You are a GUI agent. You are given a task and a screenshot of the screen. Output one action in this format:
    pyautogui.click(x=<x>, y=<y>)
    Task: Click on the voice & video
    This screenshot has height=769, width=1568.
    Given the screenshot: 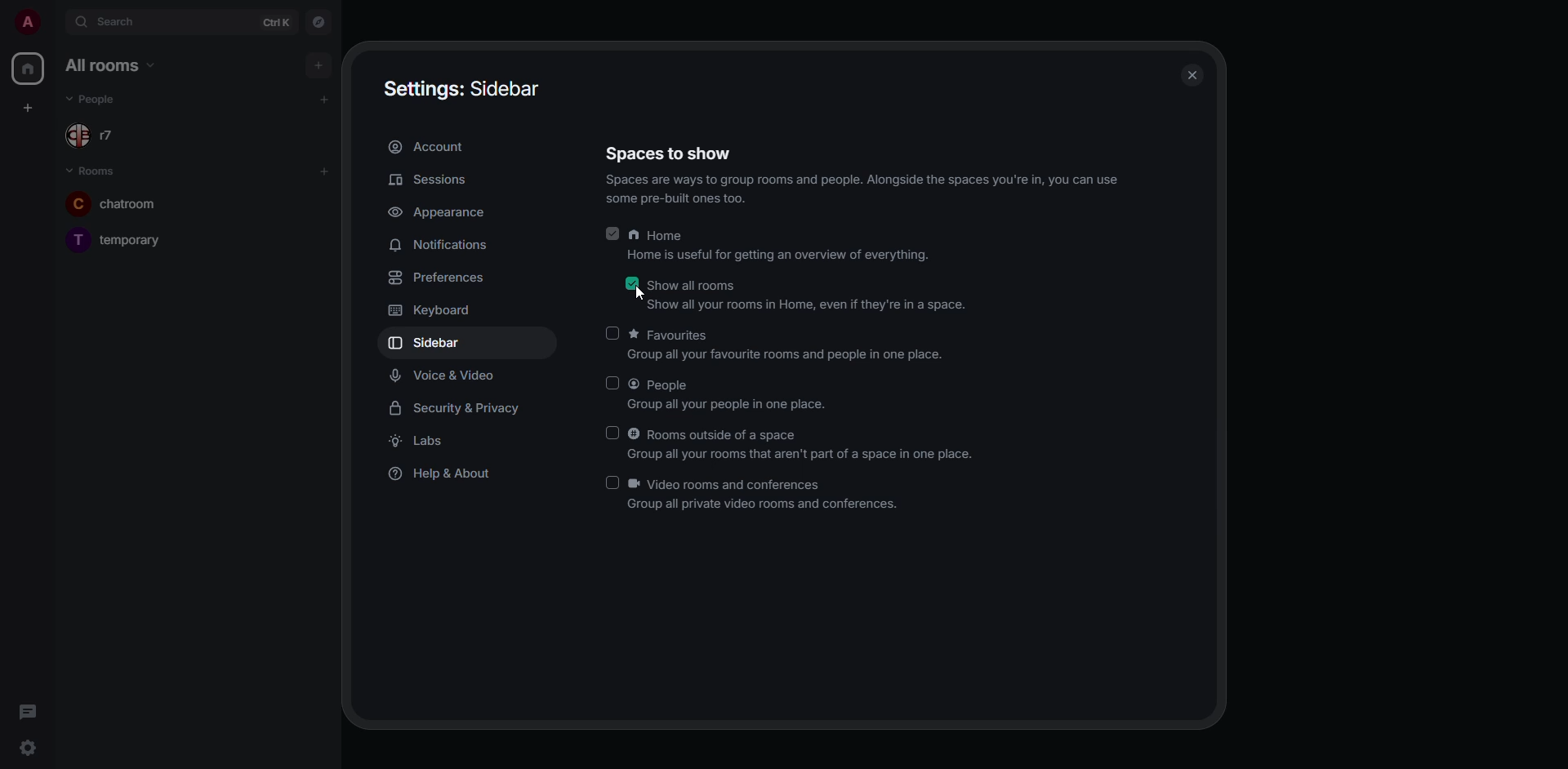 What is the action you would take?
    pyautogui.click(x=443, y=376)
    